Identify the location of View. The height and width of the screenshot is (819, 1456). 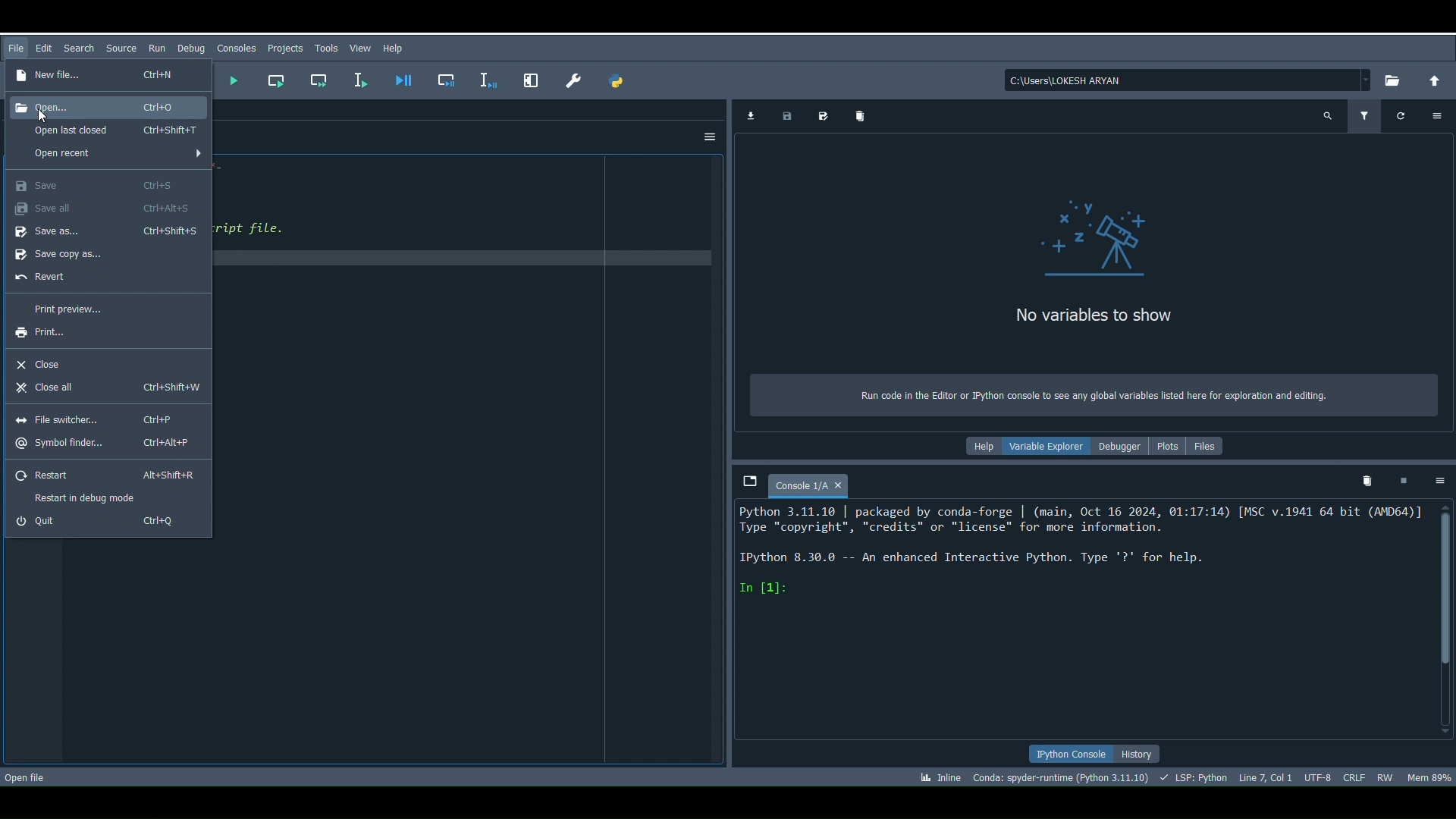
(358, 48).